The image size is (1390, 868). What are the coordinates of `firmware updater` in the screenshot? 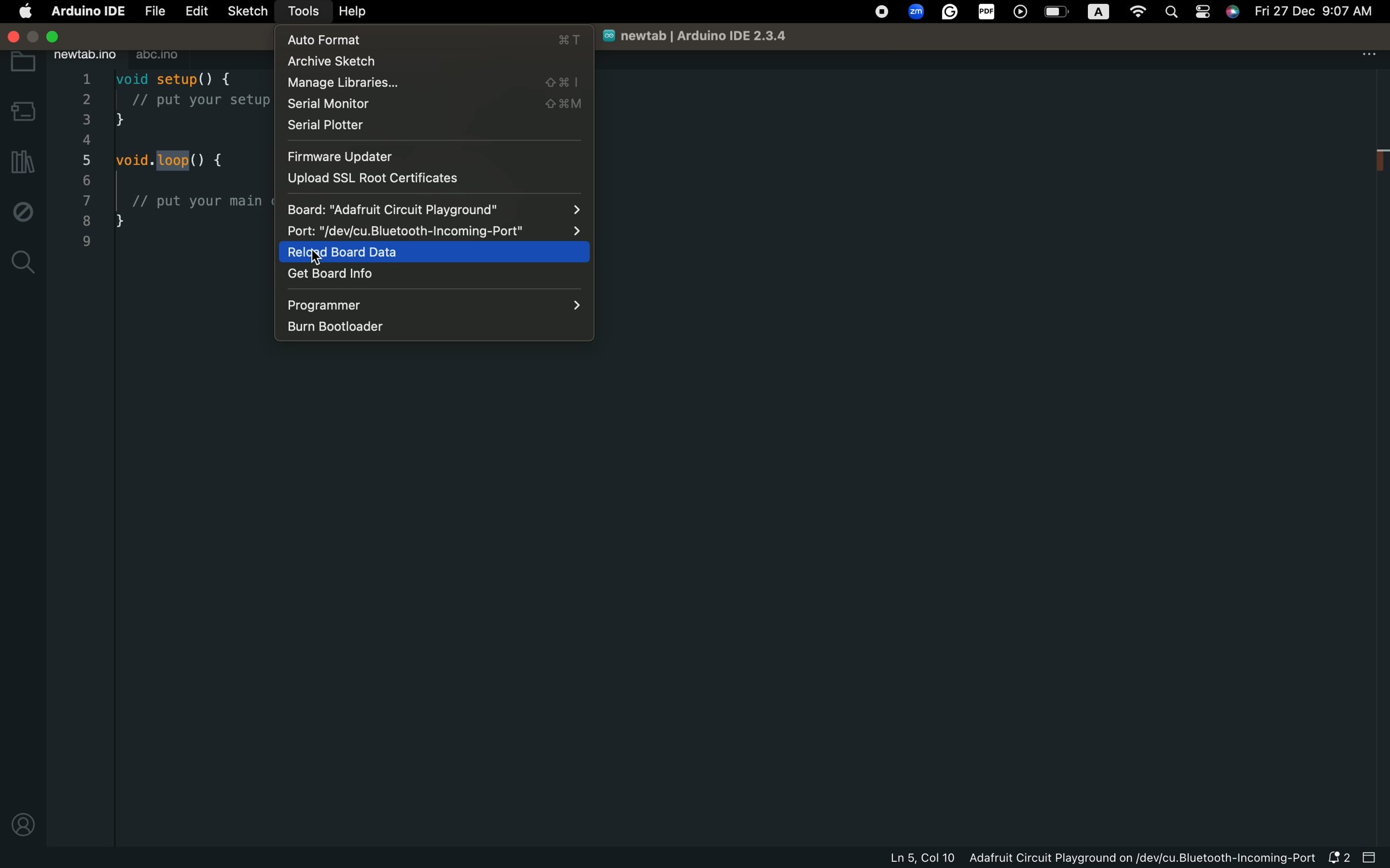 It's located at (434, 154).